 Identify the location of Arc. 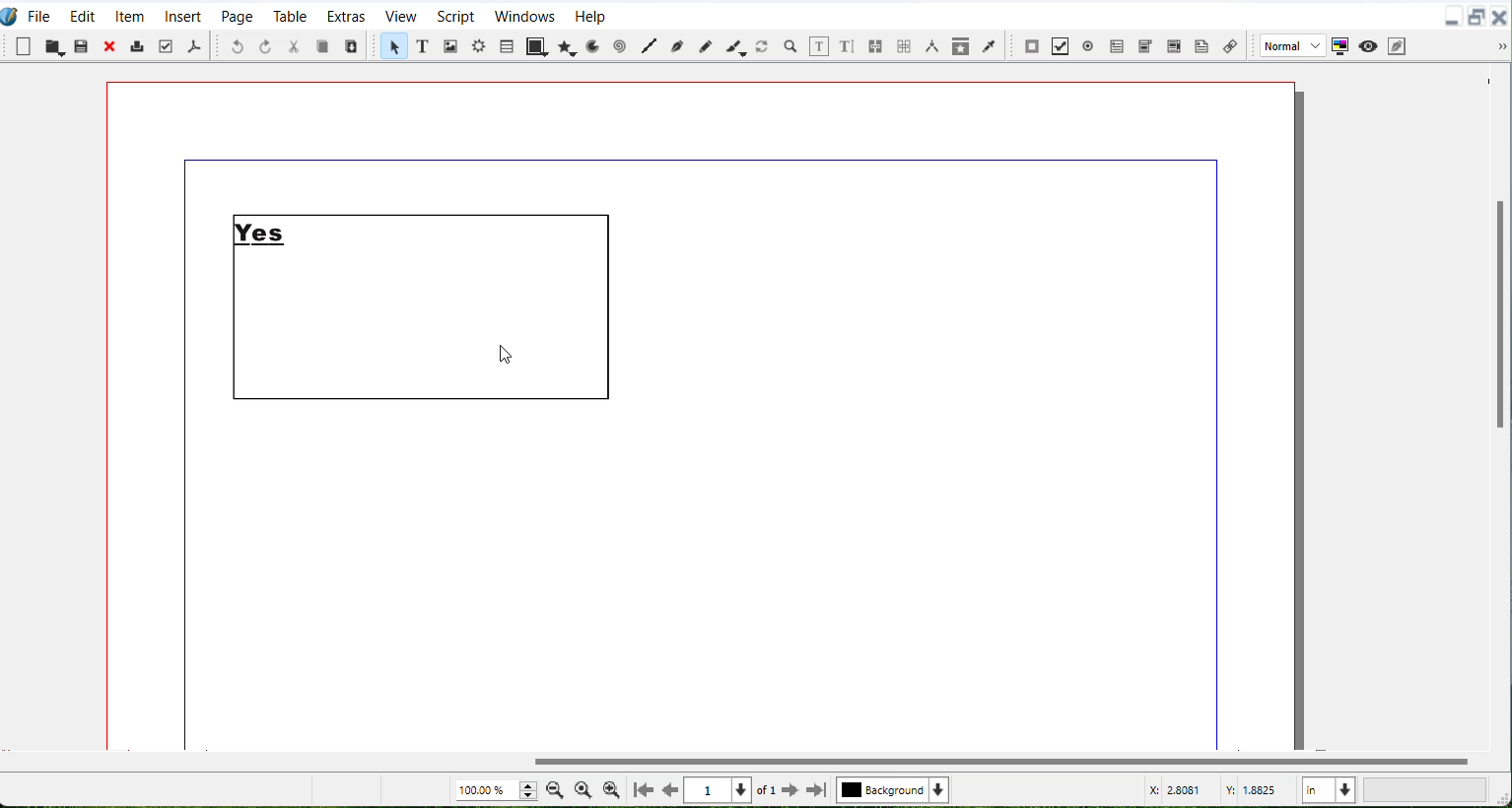
(592, 45).